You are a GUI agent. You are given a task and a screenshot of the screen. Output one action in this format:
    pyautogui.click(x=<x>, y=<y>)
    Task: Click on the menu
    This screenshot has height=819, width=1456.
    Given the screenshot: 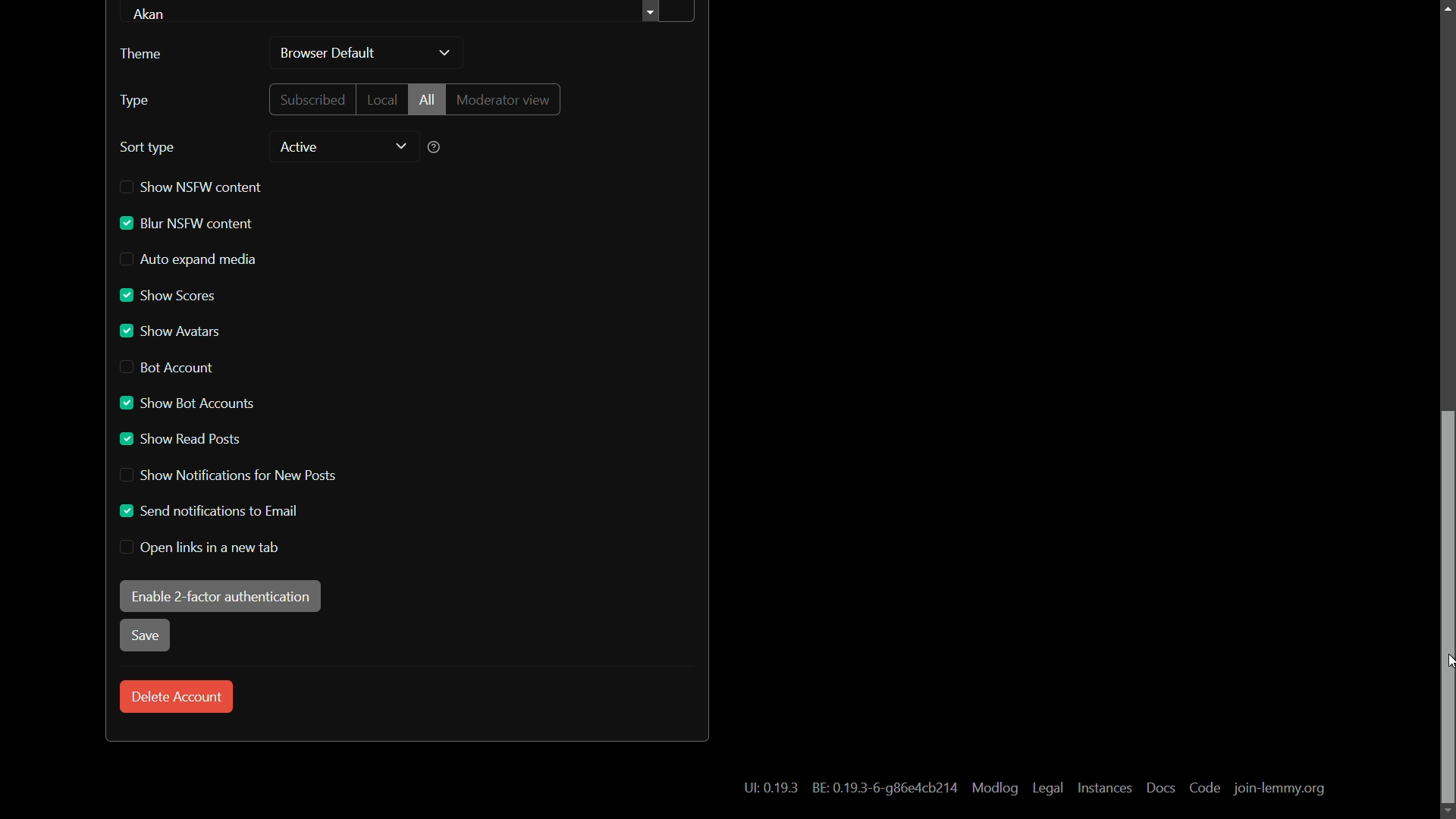 What is the action you would take?
    pyautogui.click(x=668, y=13)
    